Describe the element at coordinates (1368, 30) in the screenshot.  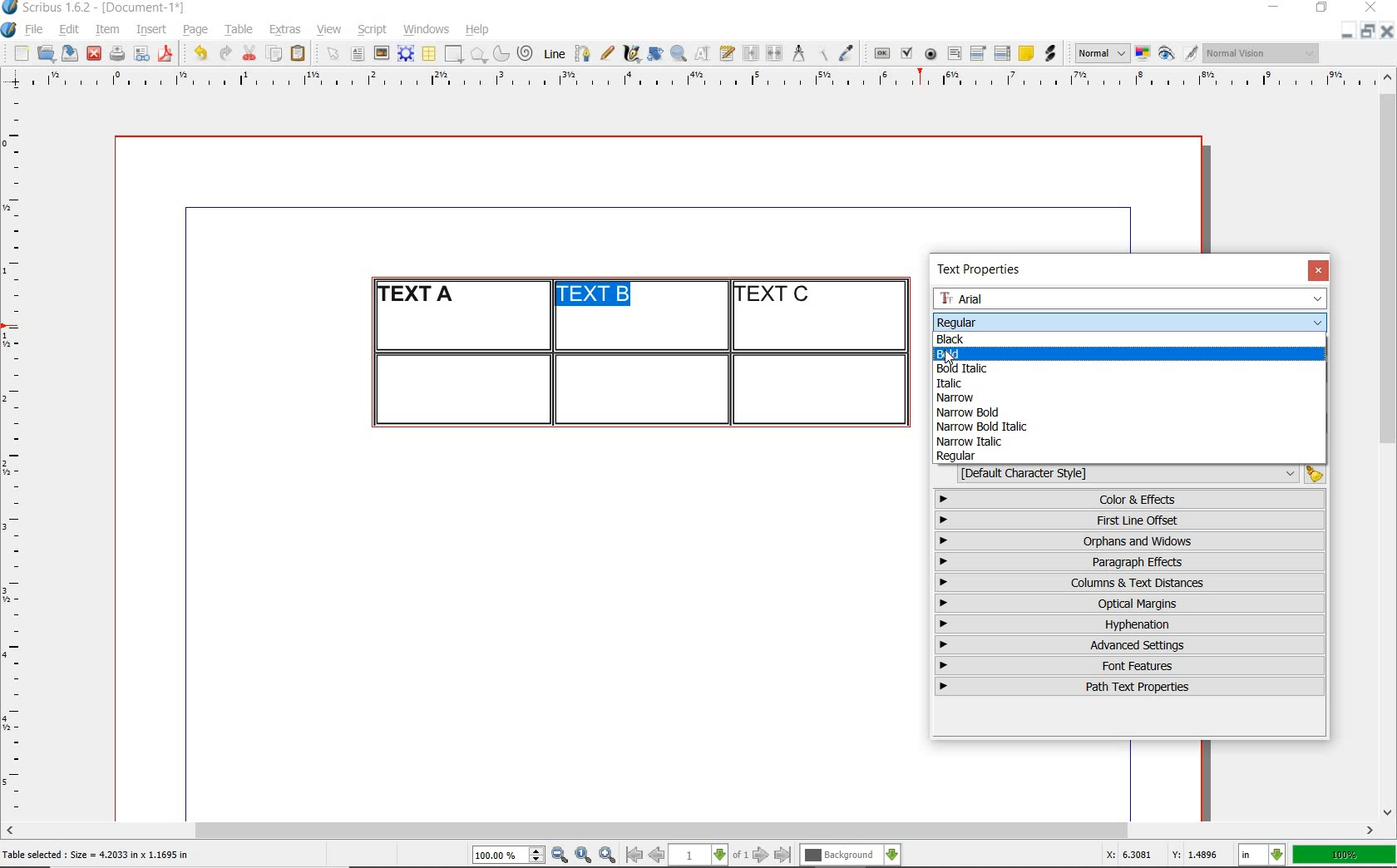
I see `restore` at that location.